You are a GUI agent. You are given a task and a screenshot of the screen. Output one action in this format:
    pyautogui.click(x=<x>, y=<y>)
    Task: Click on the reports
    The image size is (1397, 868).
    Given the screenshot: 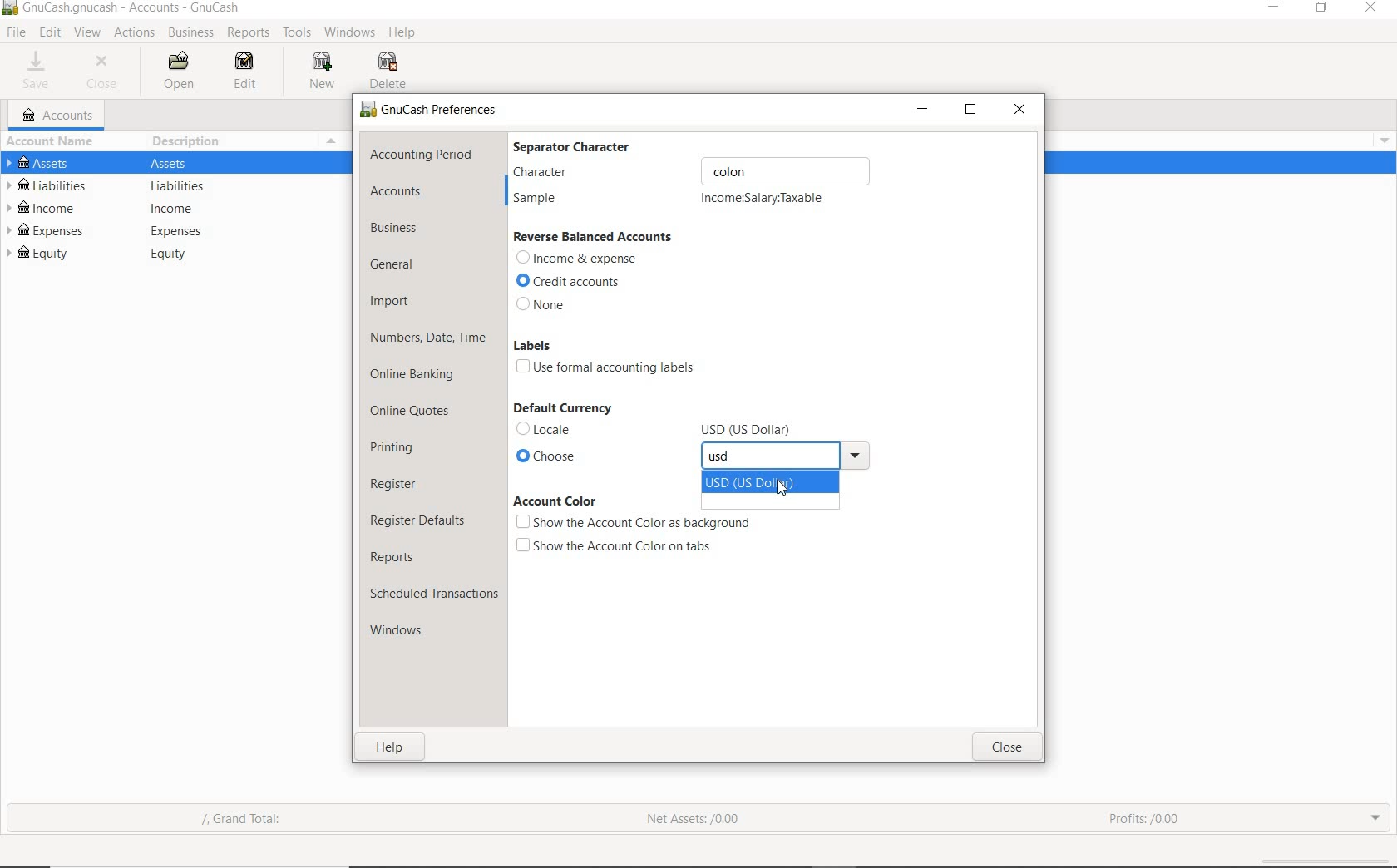 What is the action you would take?
    pyautogui.click(x=397, y=556)
    